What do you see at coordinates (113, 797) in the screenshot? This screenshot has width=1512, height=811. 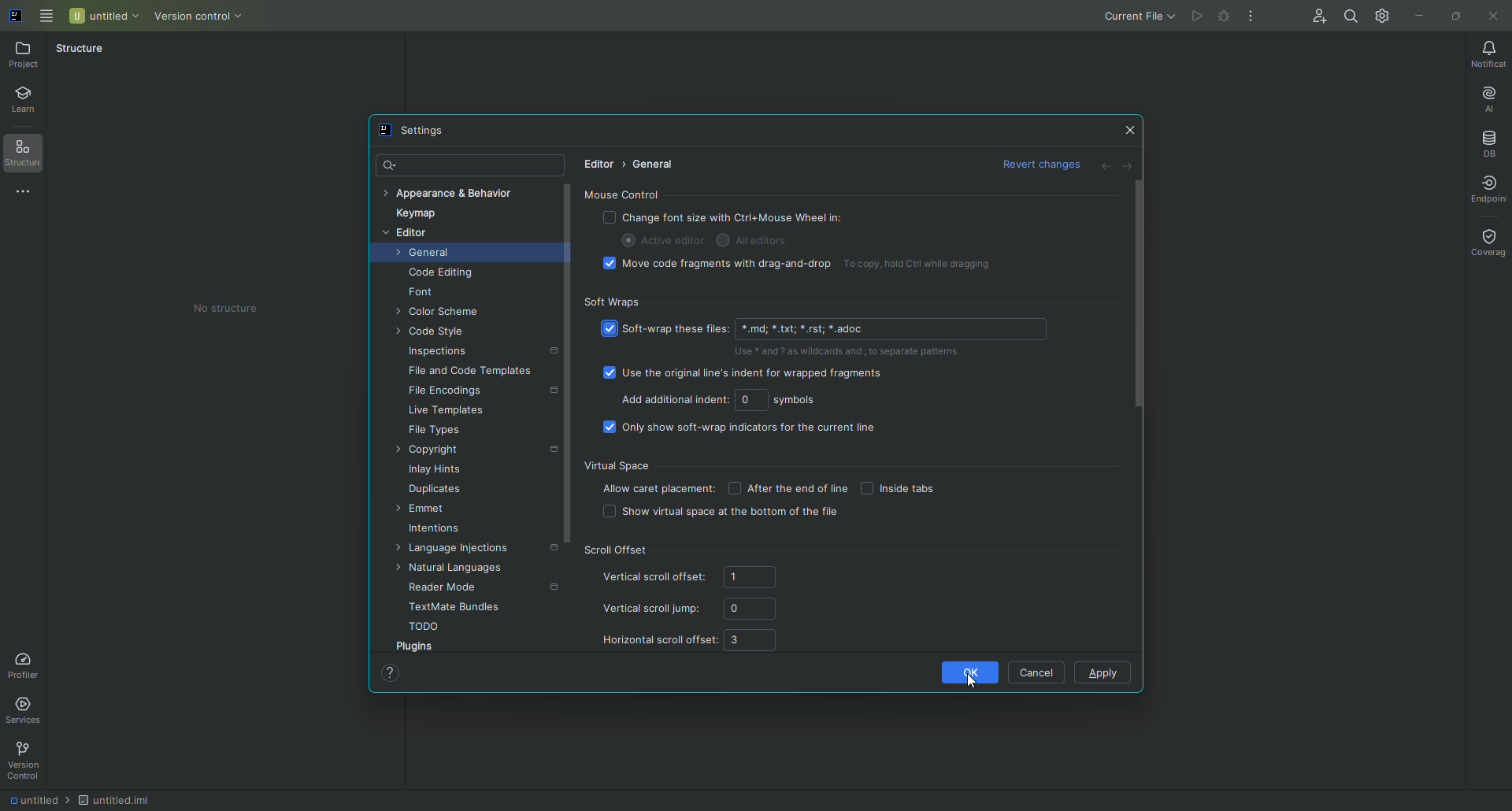 I see `Untitled.iml` at bounding box center [113, 797].